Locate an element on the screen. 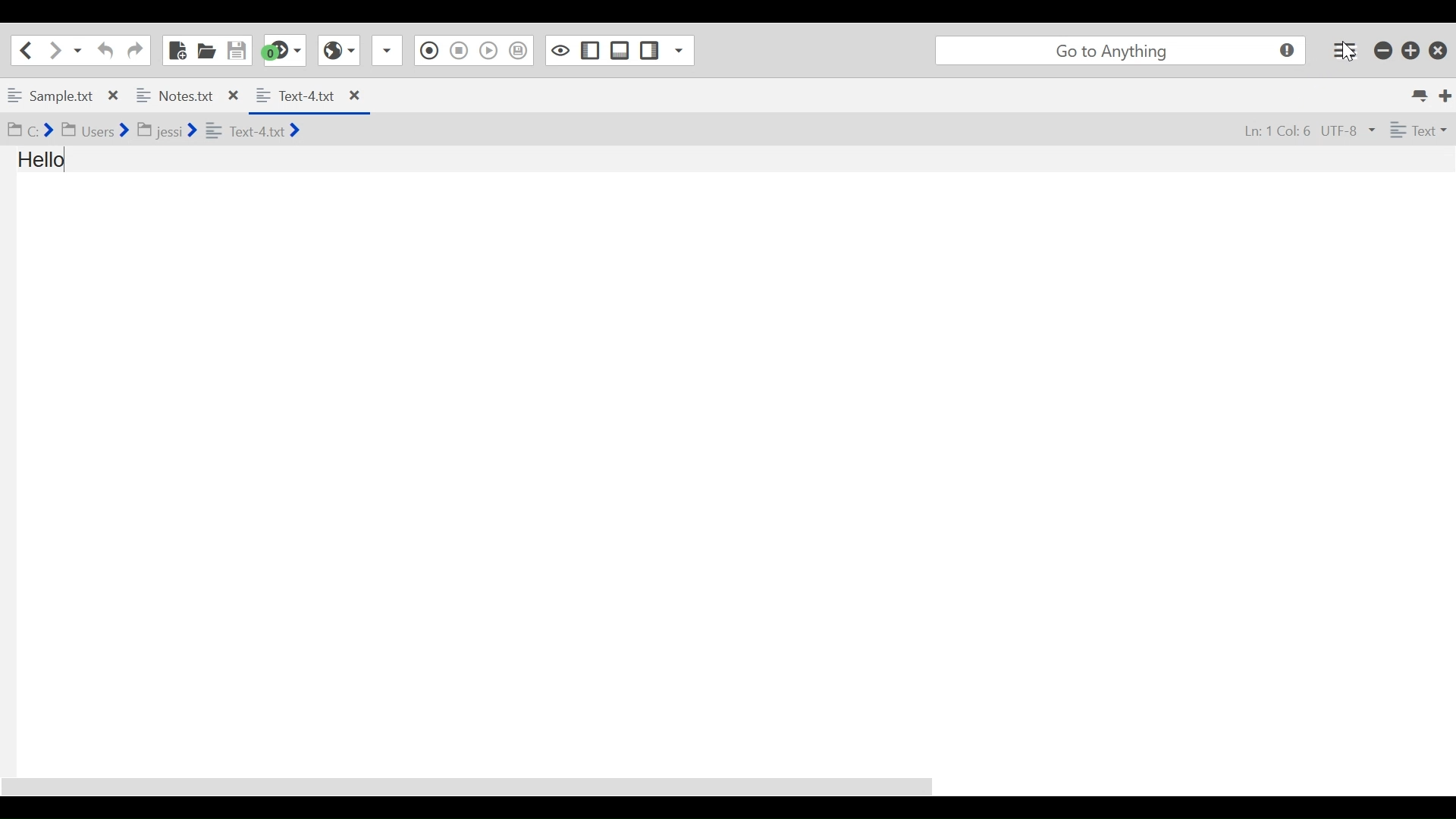  File Encoding is located at coordinates (1348, 129).